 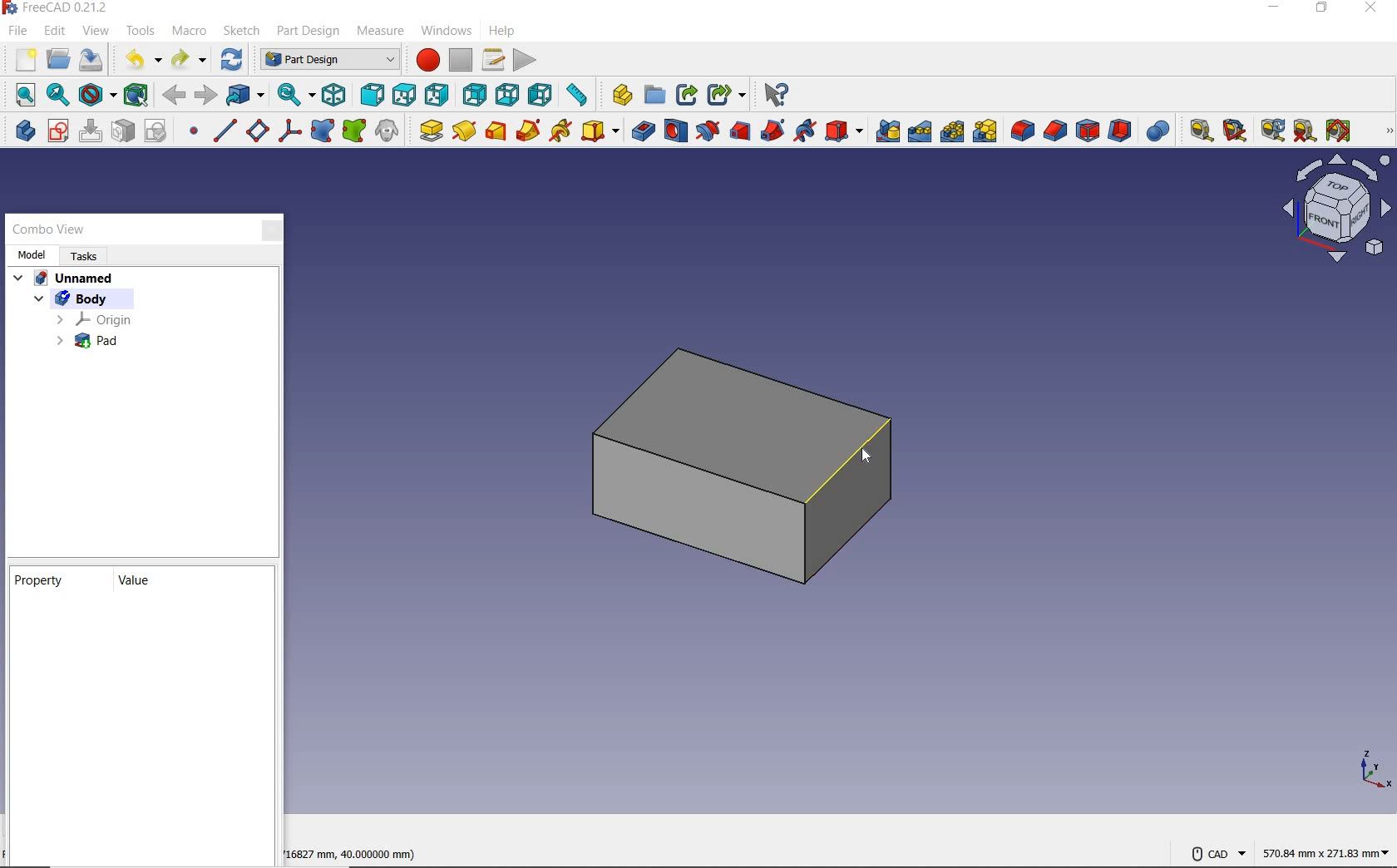 What do you see at coordinates (1158, 131) in the screenshot?
I see `Boolean operation` at bounding box center [1158, 131].